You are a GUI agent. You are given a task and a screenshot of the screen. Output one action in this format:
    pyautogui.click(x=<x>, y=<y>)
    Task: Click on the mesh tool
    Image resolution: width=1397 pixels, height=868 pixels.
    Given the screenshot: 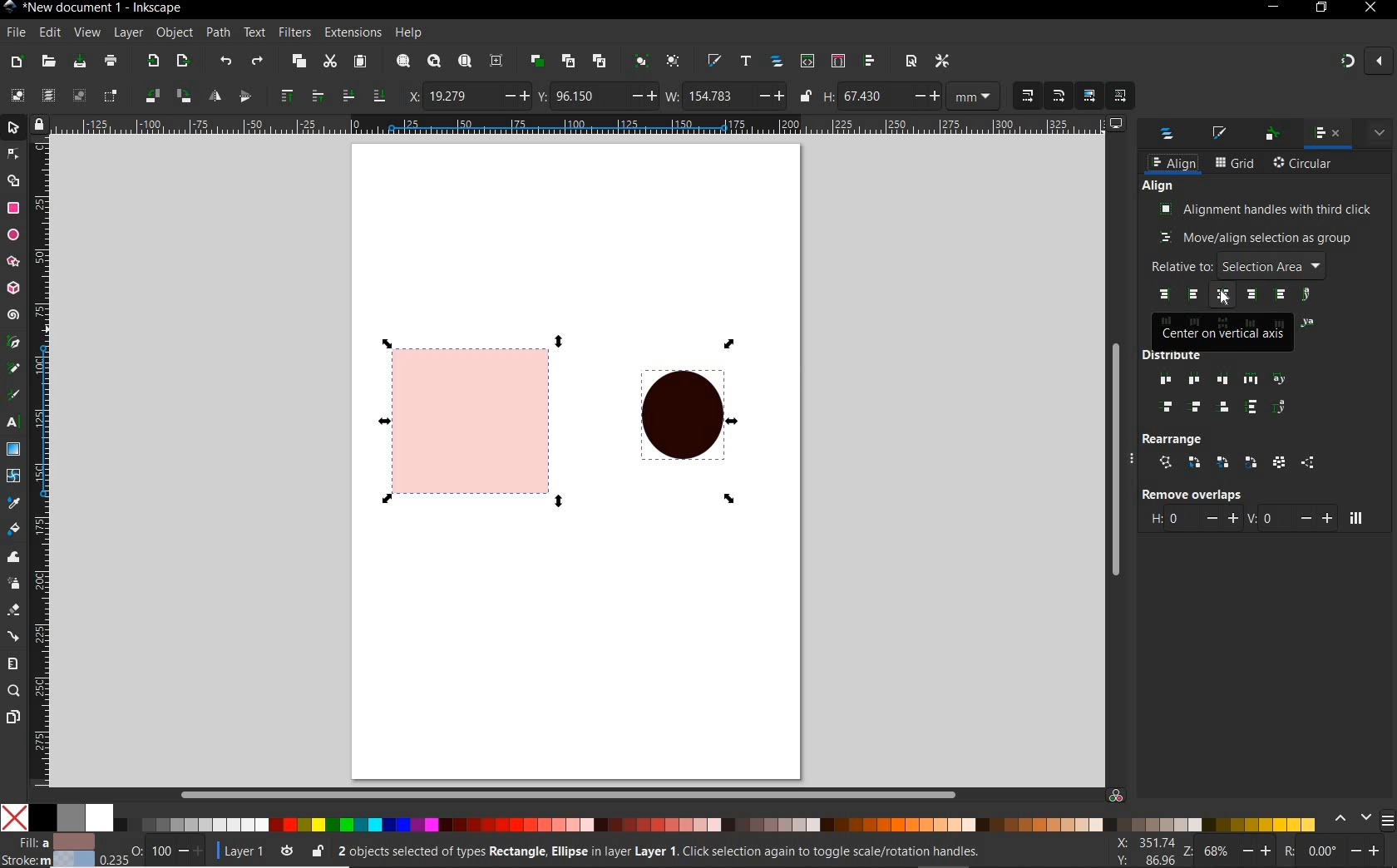 What is the action you would take?
    pyautogui.click(x=13, y=476)
    